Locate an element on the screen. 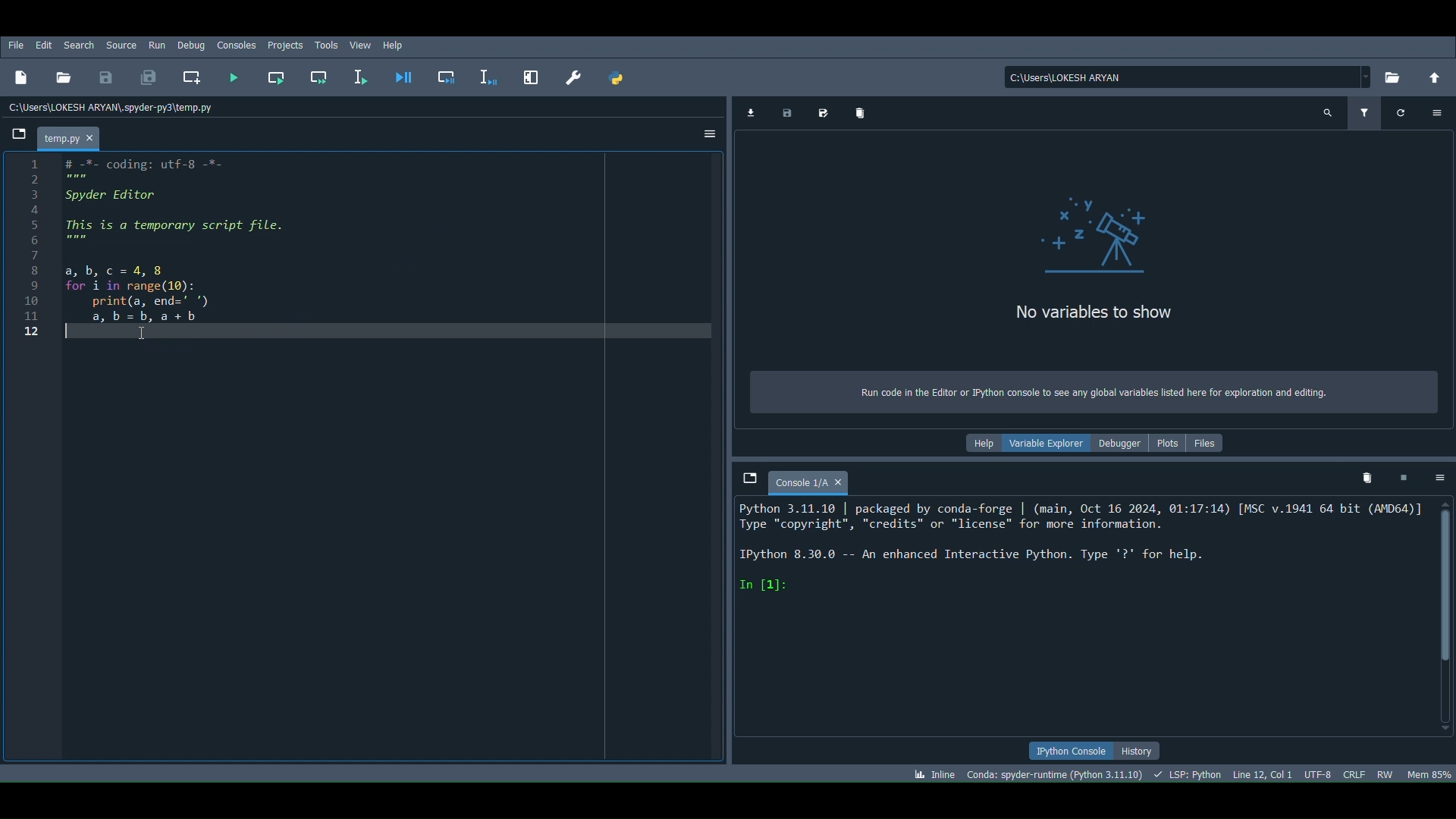 Image resolution: width=1456 pixels, height=819 pixels. Version is located at coordinates (1056, 771).